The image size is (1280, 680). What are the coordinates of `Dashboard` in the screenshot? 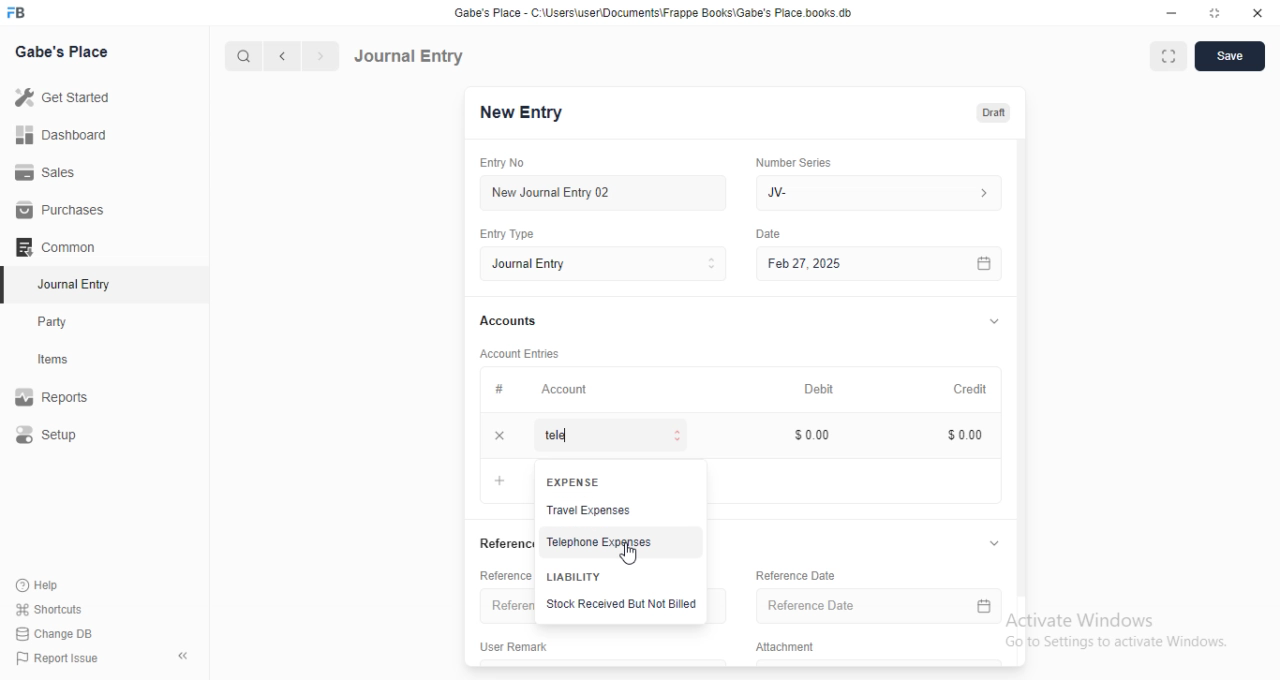 It's located at (62, 135).